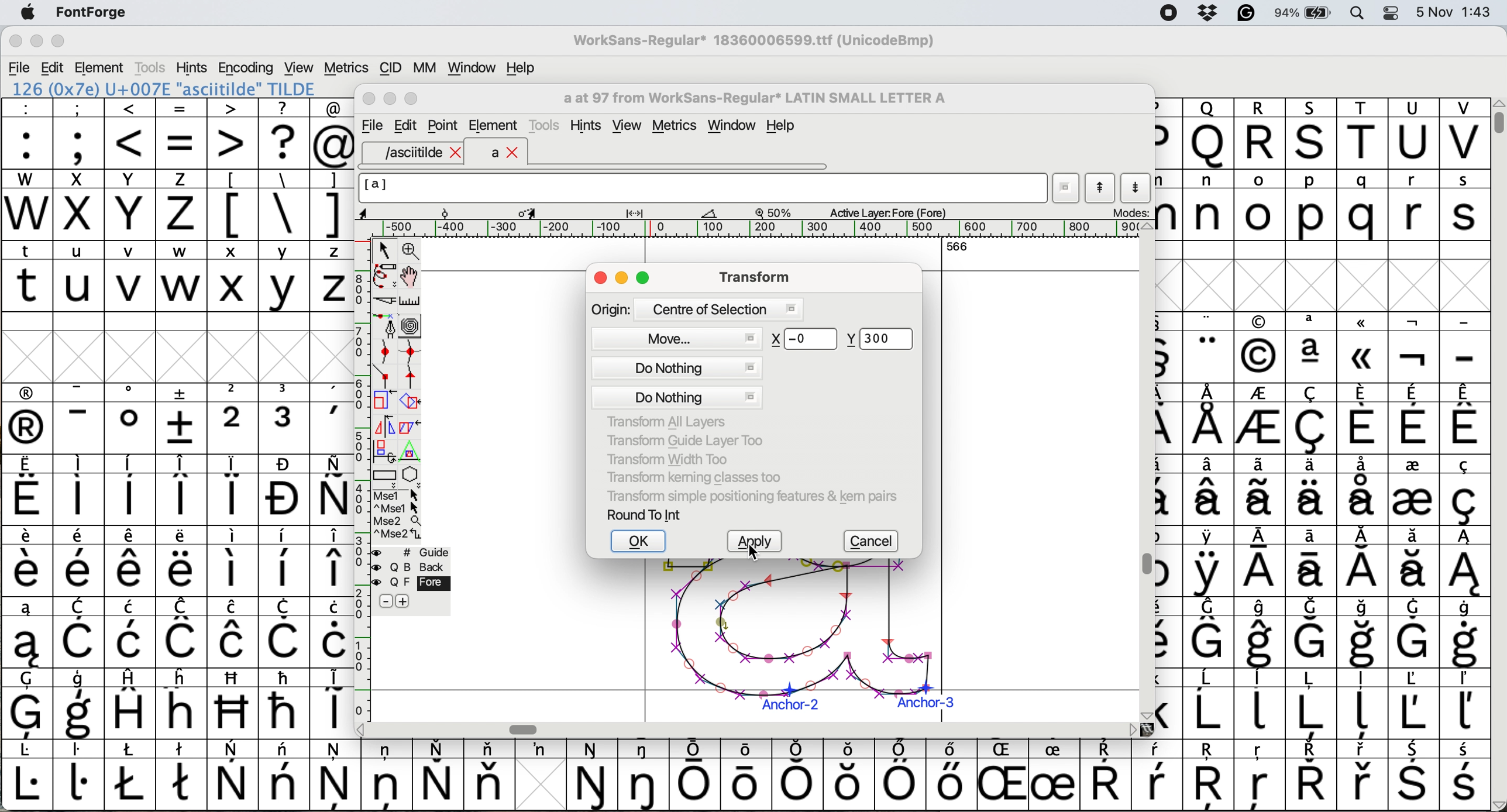 Image resolution: width=1507 pixels, height=812 pixels. Describe the element at coordinates (1261, 776) in the screenshot. I see `` at that location.